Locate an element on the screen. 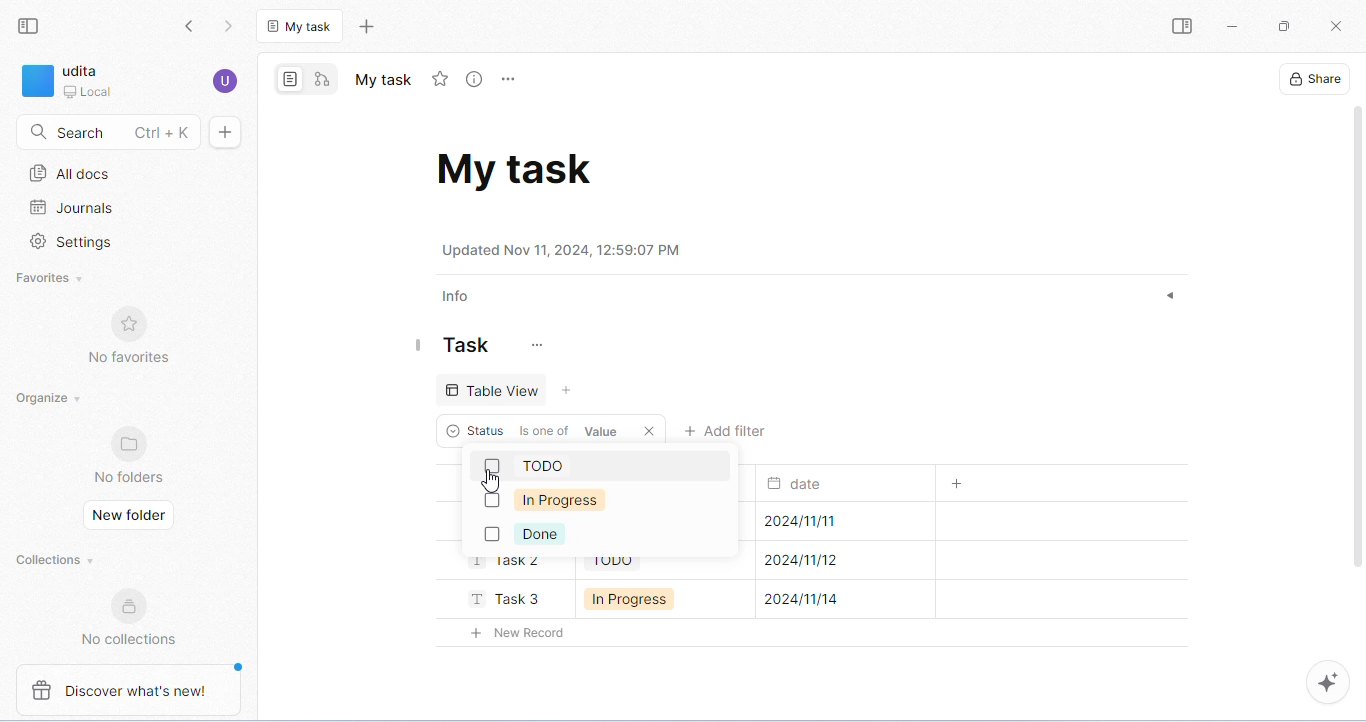  current tab is located at coordinates (302, 25).